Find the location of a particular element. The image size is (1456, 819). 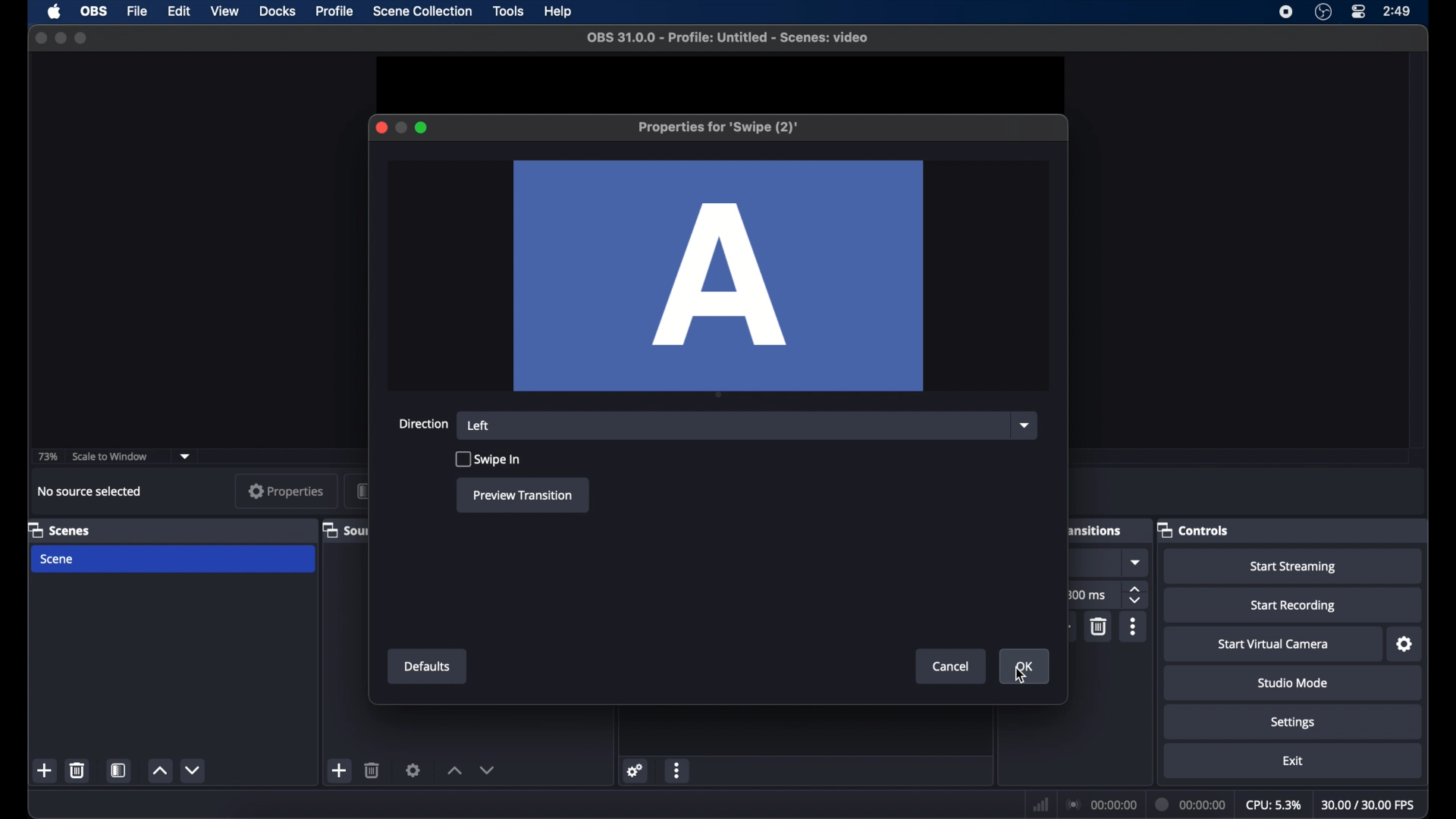

preview transition is located at coordinates (523, 496).